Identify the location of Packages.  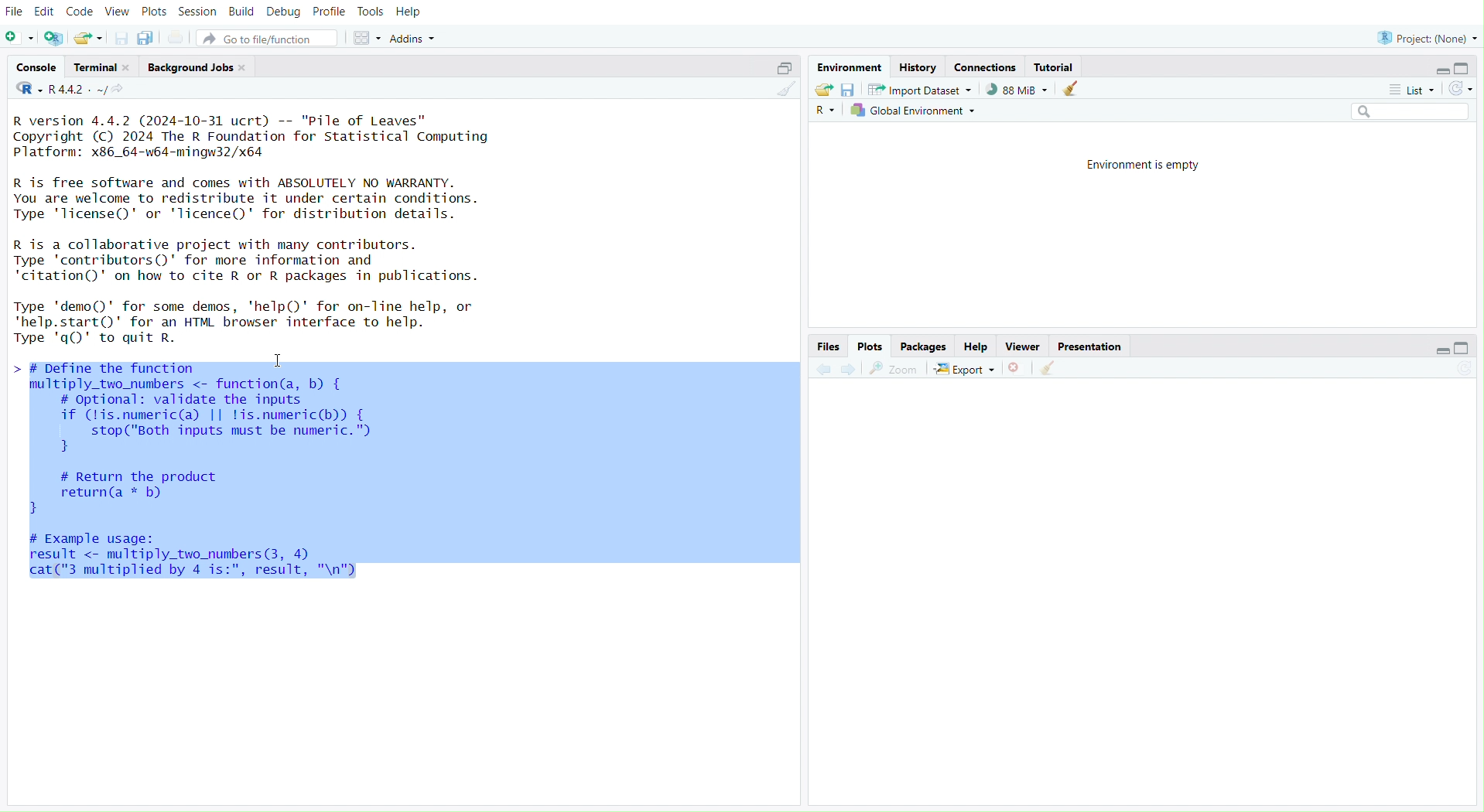
(923, 347).